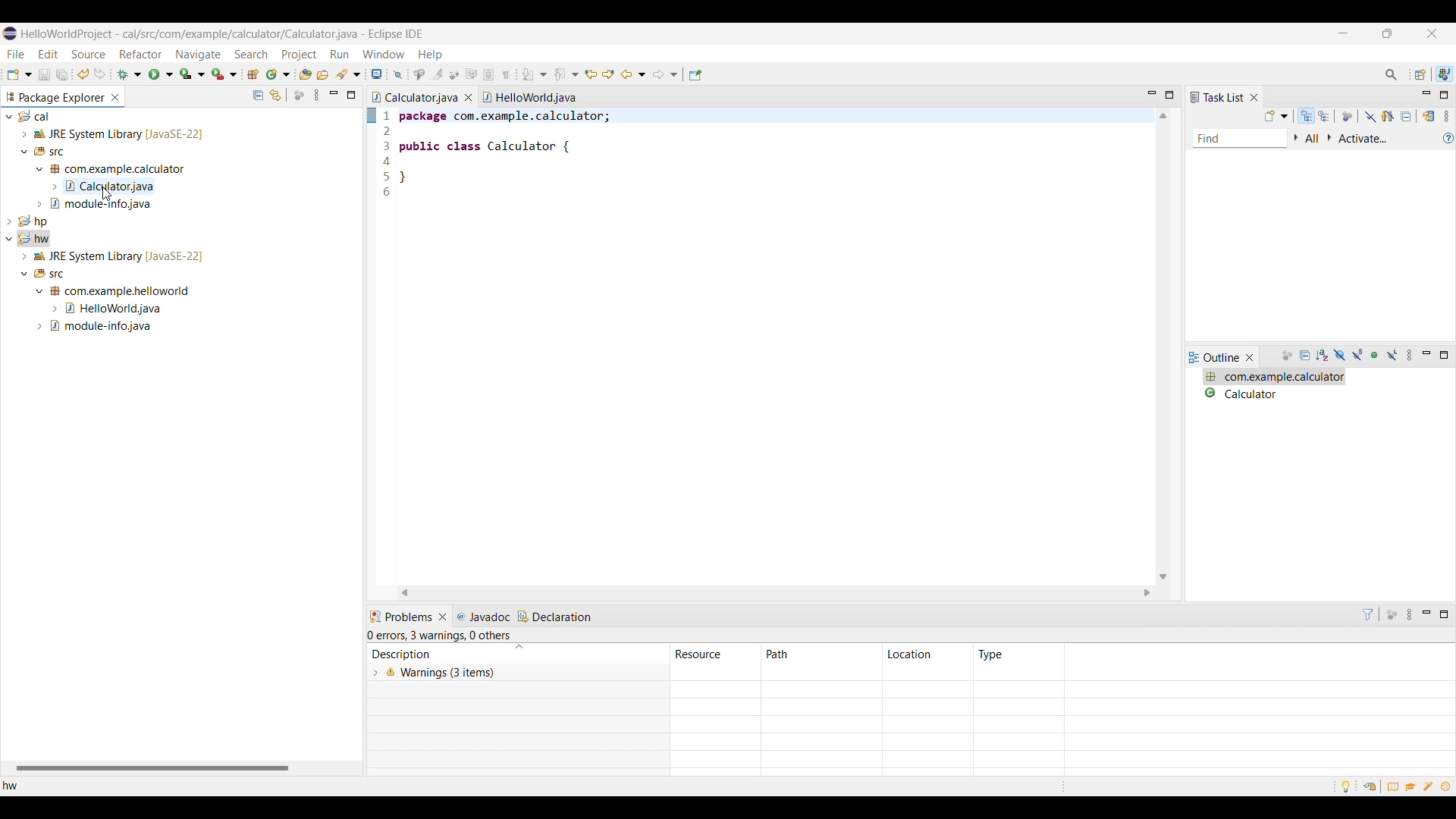  I want to click on Close, so click(1250, 357).